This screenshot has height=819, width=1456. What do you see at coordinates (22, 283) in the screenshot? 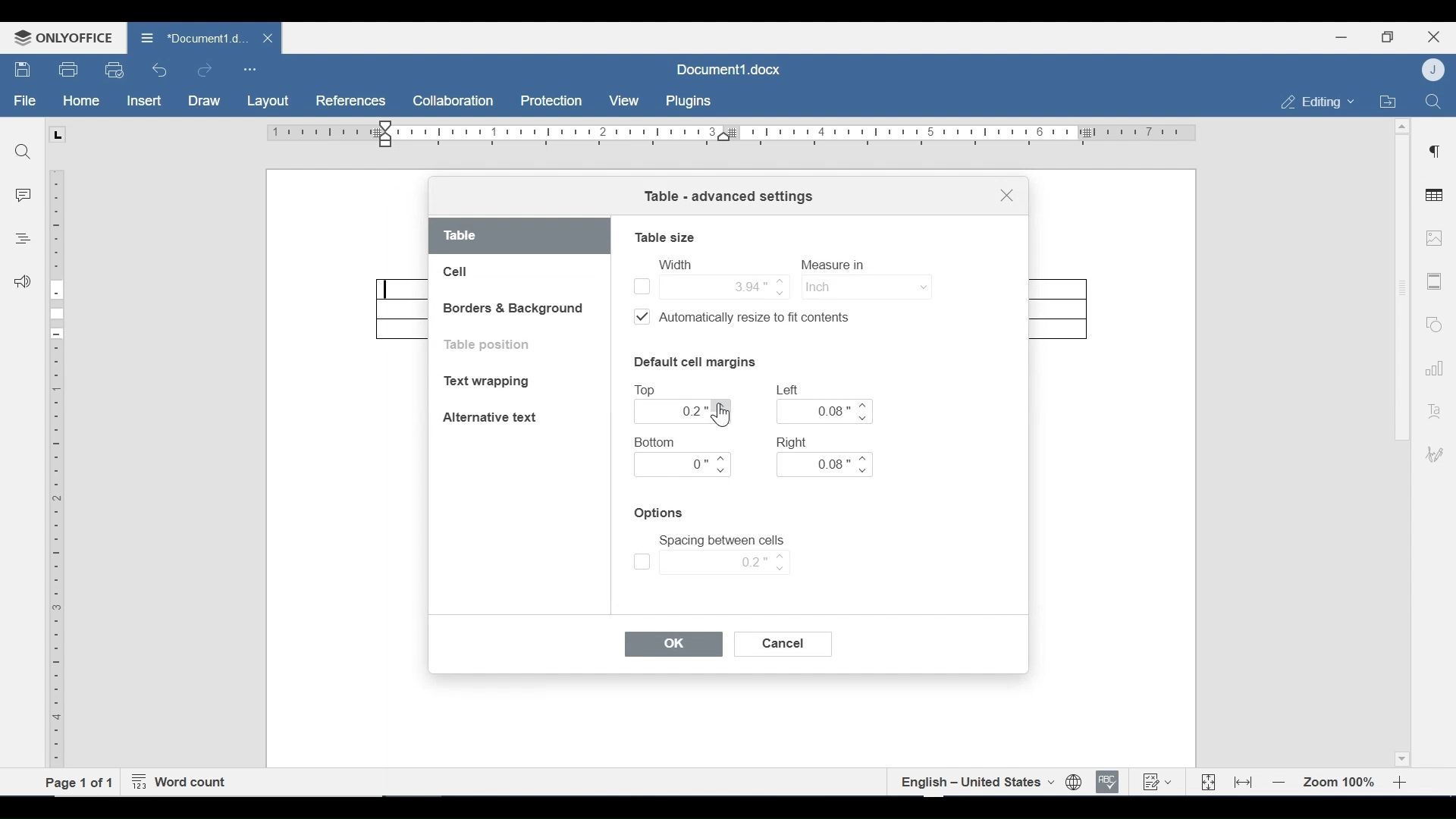
I see `Feedback and Support` at bounding box center [22, 283].